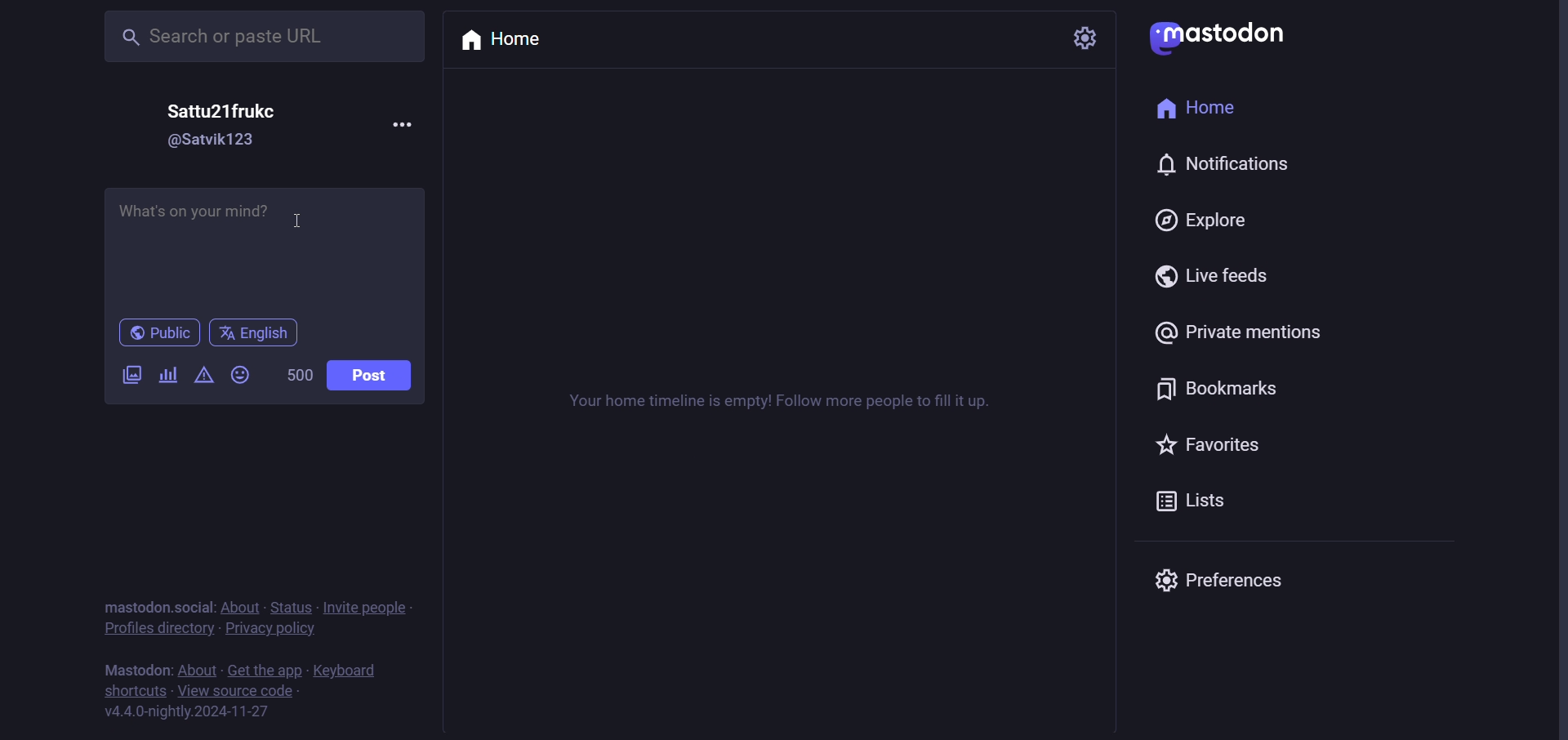  I want to click on social, so click(193, 606).